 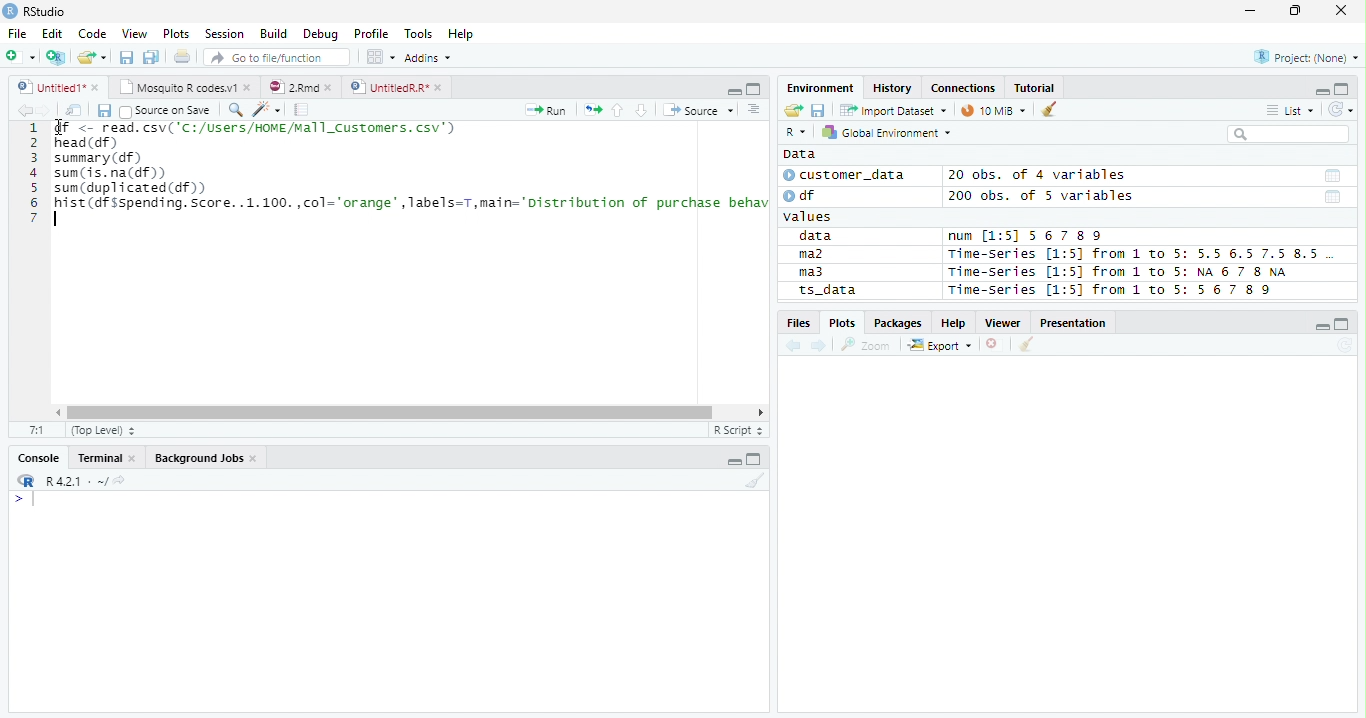 What do you see at coordinates (894, 89) in the screenshot?
I see `History` at bounding box center [894, 89].